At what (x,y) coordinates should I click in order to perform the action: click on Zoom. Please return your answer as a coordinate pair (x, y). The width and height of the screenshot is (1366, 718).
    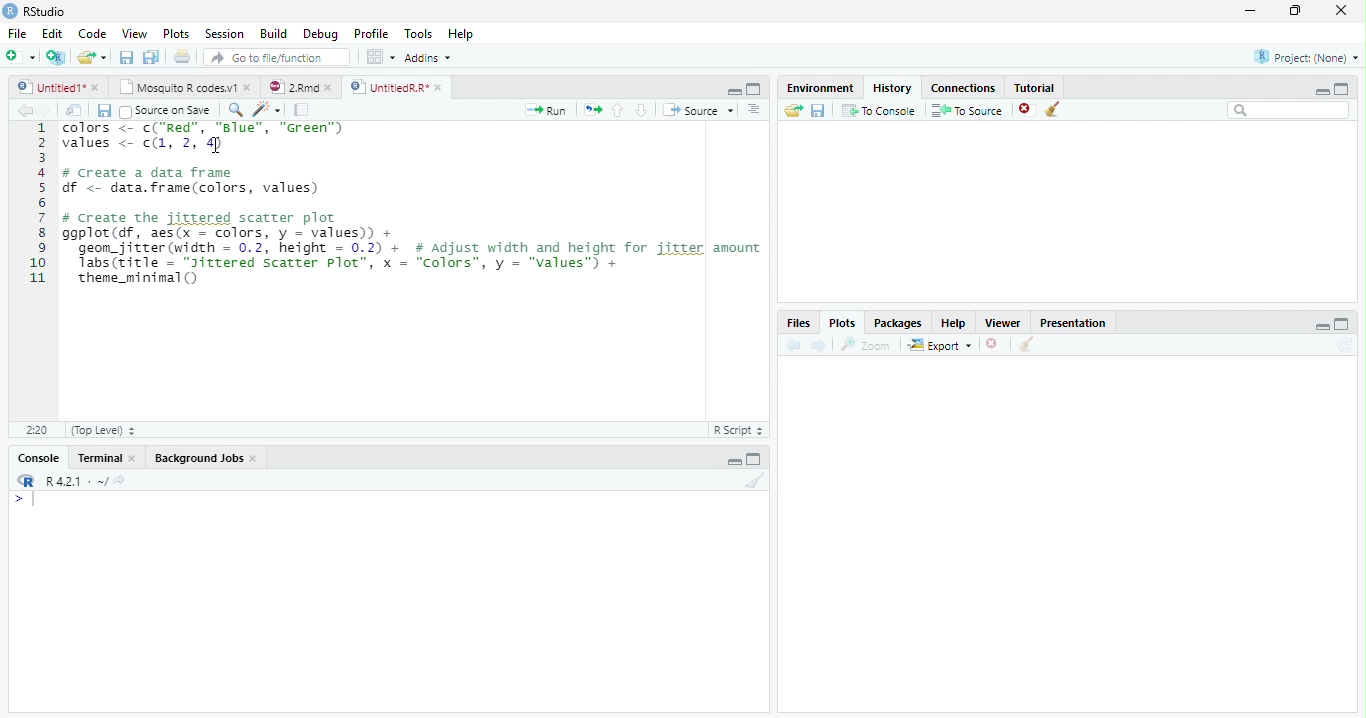
    Looking at the image, I should click on (866, 345).